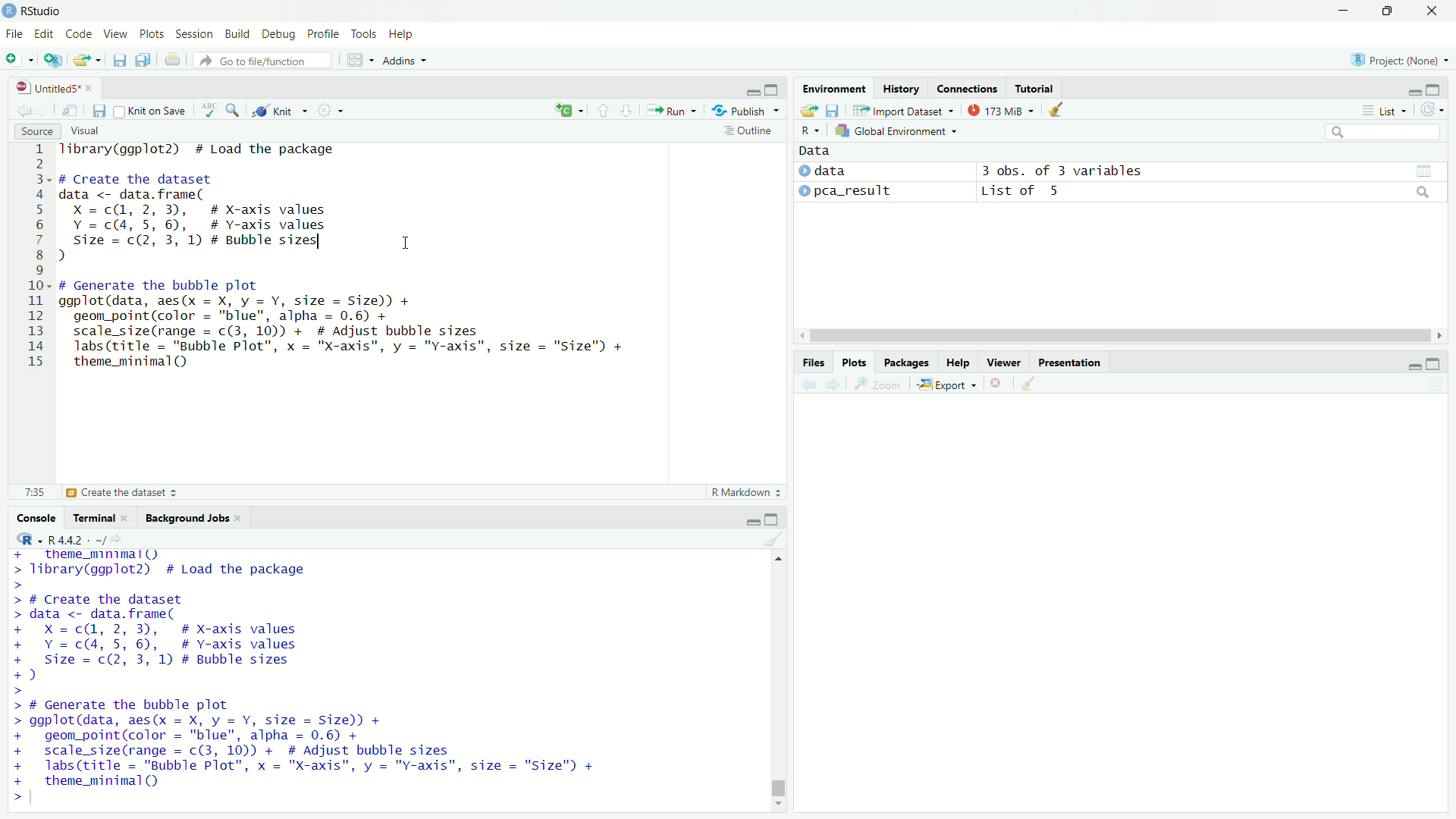  What do you see at coordinates (999, 109) in the screenshot?
I see `data usage: 173mb` at bounding box center [999, 109].